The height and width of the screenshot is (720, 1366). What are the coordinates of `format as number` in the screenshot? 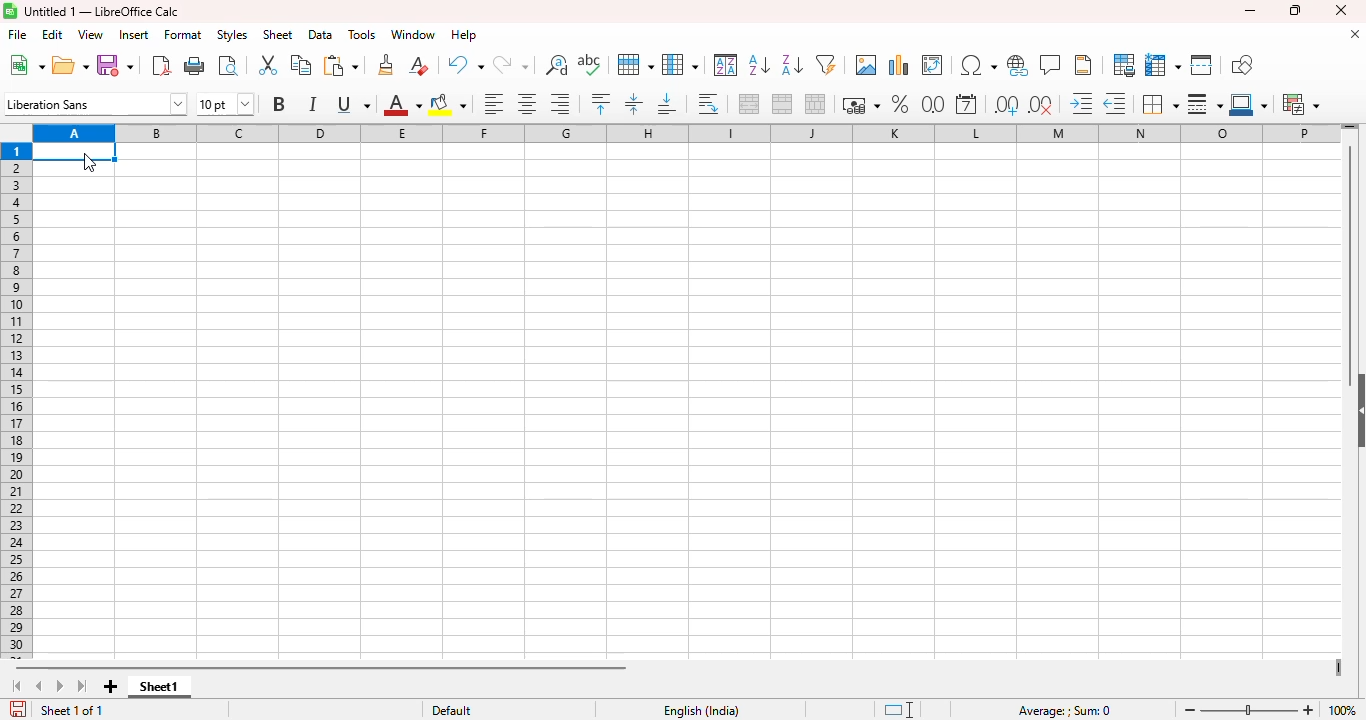 It's located at (934, 105).